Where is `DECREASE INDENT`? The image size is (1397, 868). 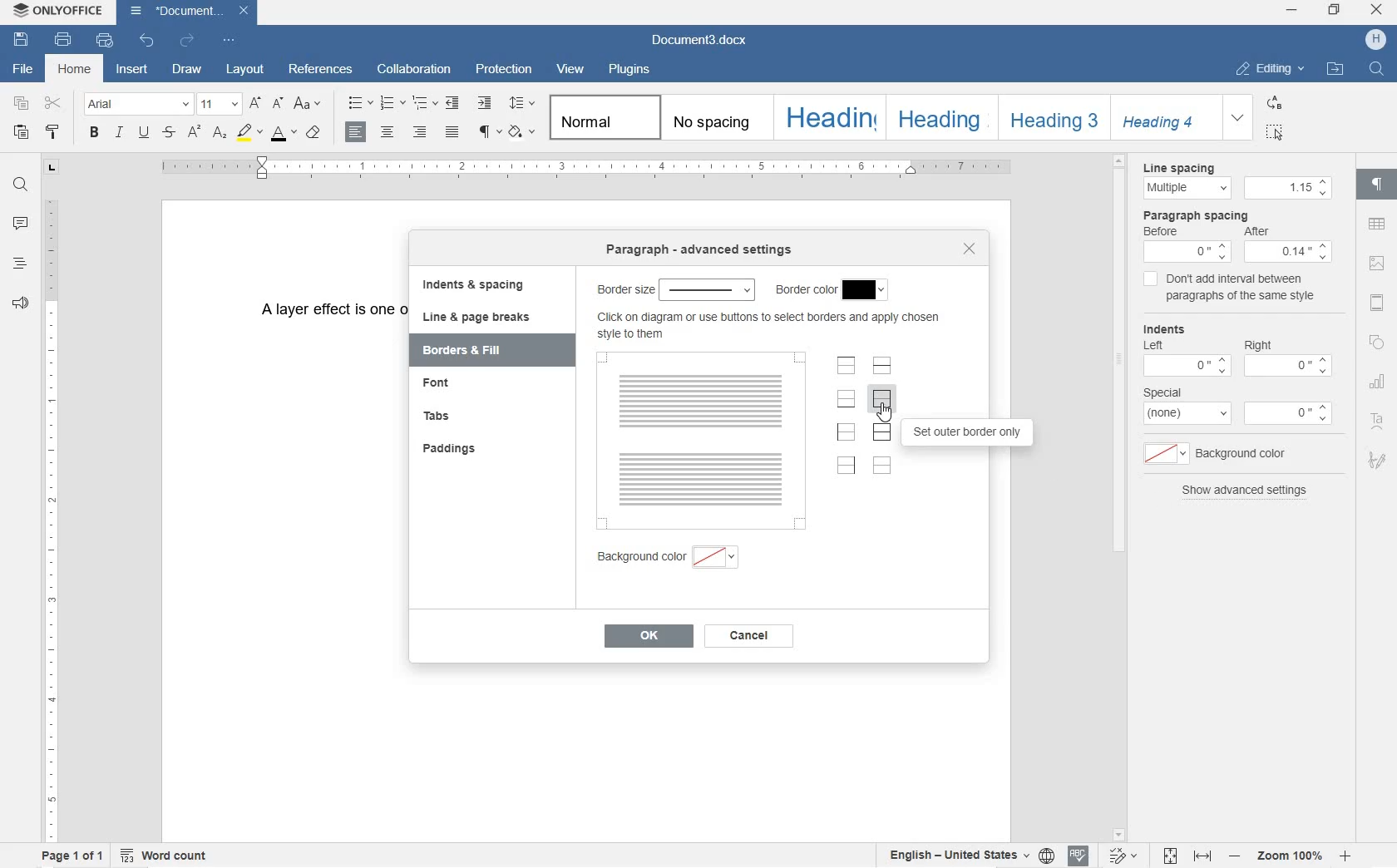 DECREASE INDENT is located at coordinates (454, 103).